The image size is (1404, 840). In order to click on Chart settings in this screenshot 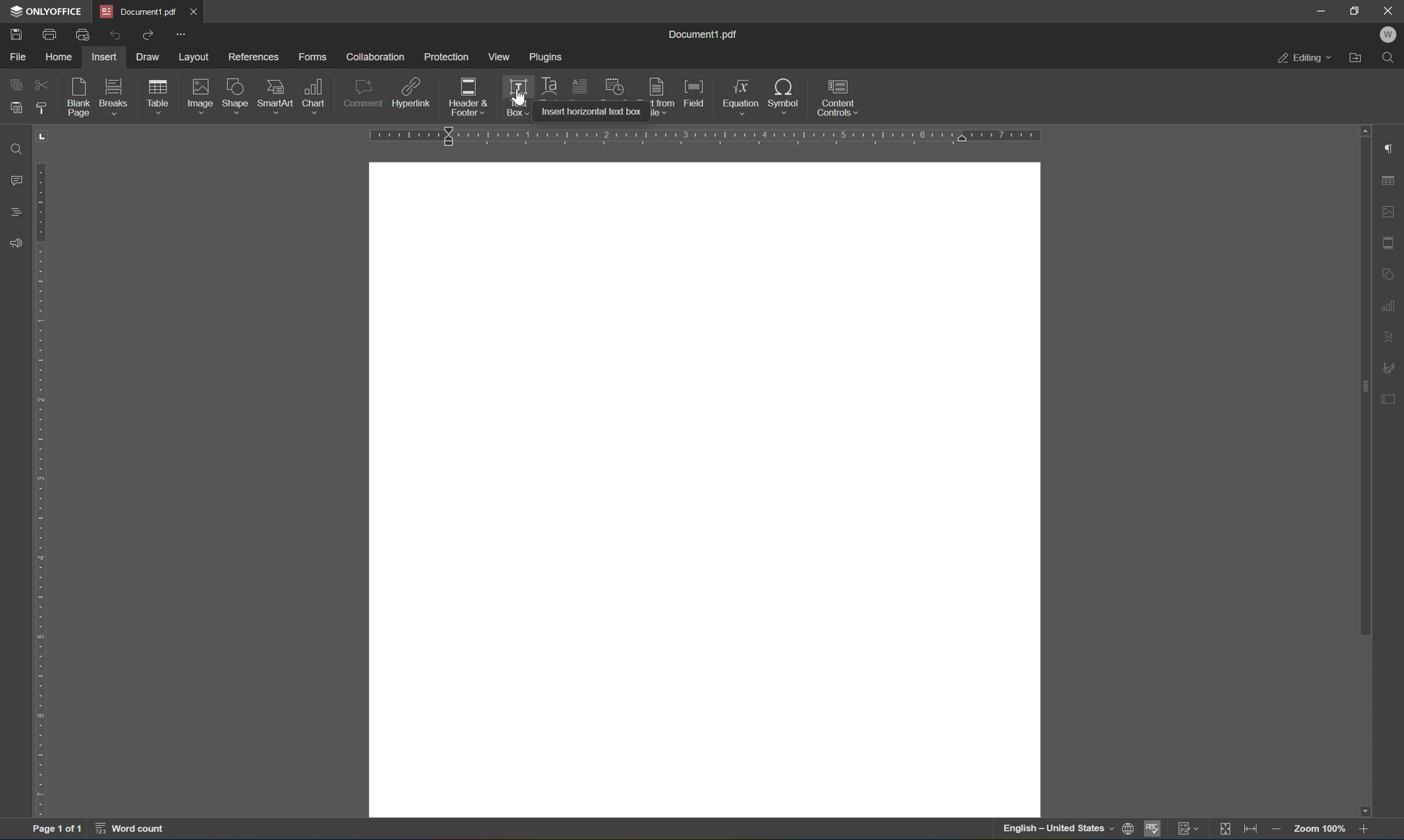, I will do `click(1390, 304)`.